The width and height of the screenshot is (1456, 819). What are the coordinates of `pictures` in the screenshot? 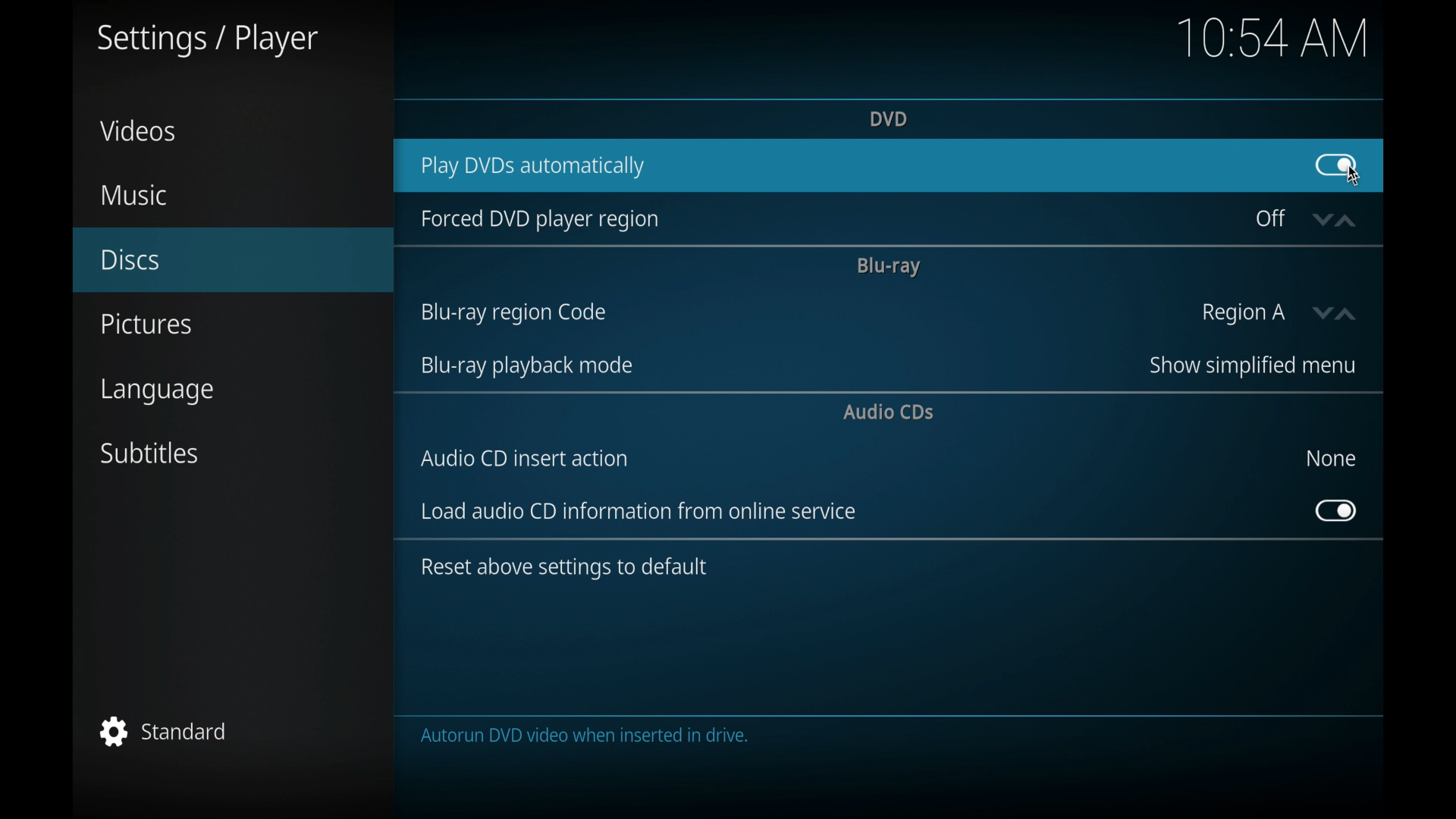 It's located at (146, 325).